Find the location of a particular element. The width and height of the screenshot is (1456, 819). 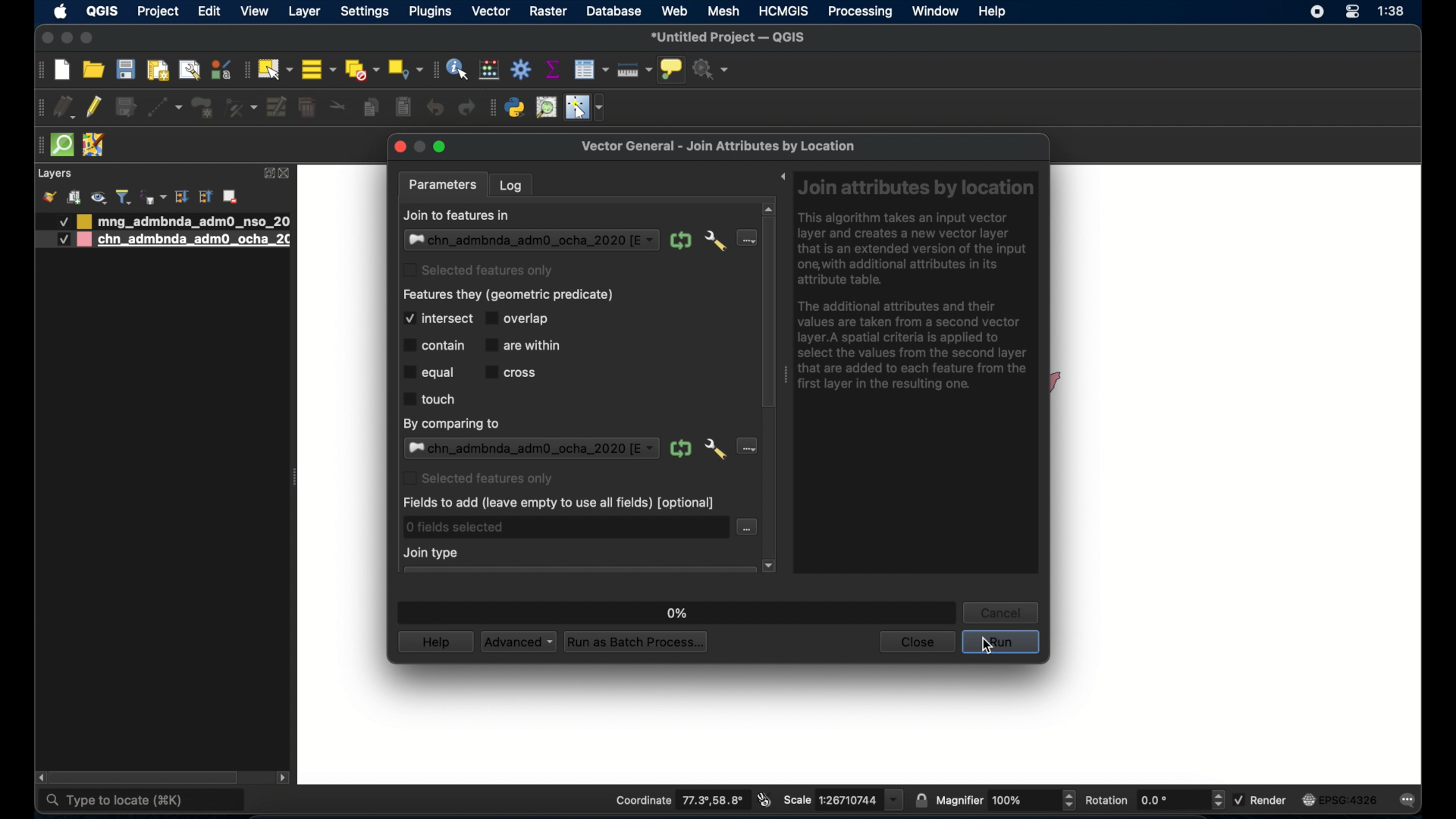

advanced option is located at coordinates (714, 449).